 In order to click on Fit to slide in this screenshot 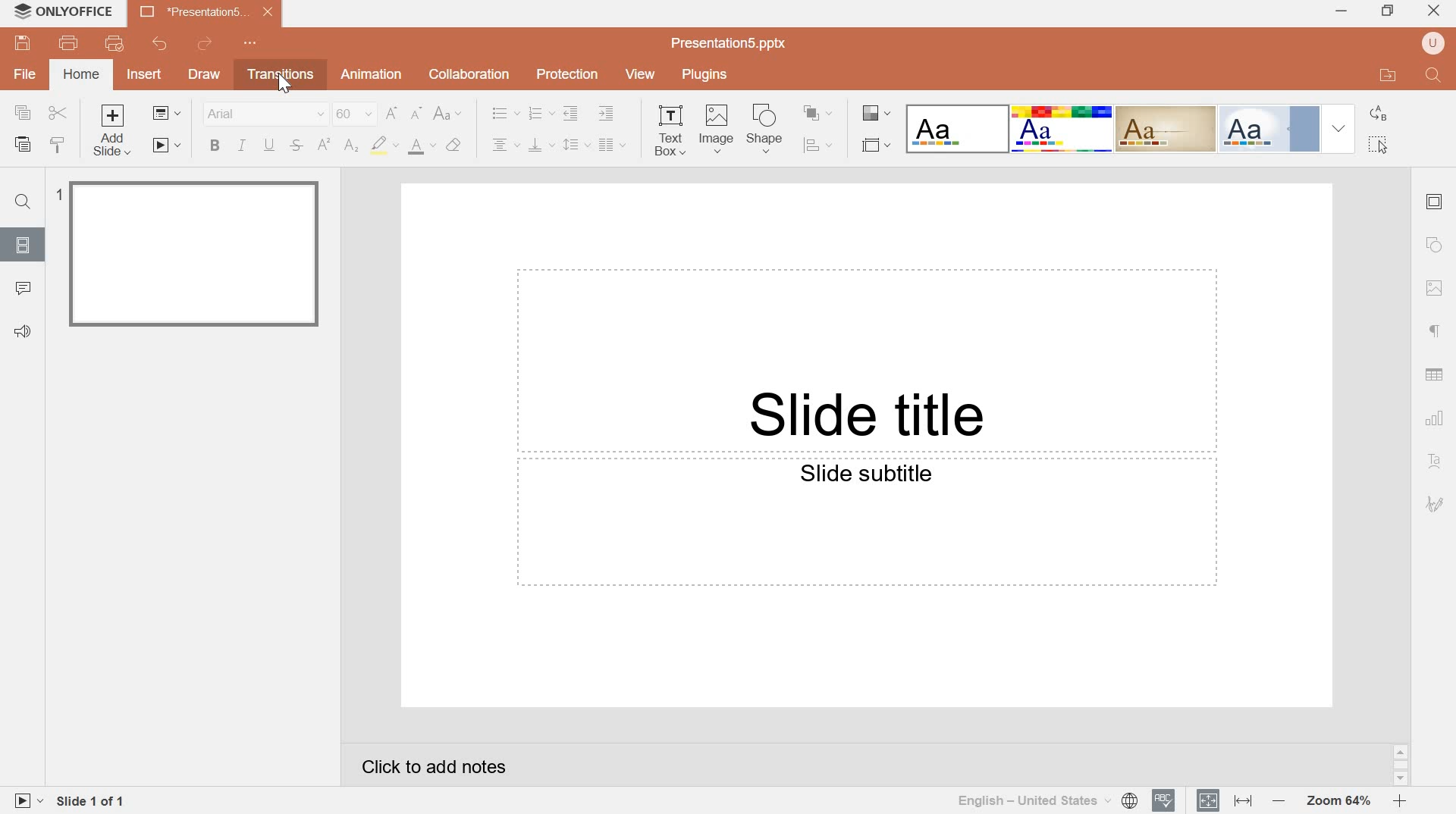, I will do `click(1209, 799)`.